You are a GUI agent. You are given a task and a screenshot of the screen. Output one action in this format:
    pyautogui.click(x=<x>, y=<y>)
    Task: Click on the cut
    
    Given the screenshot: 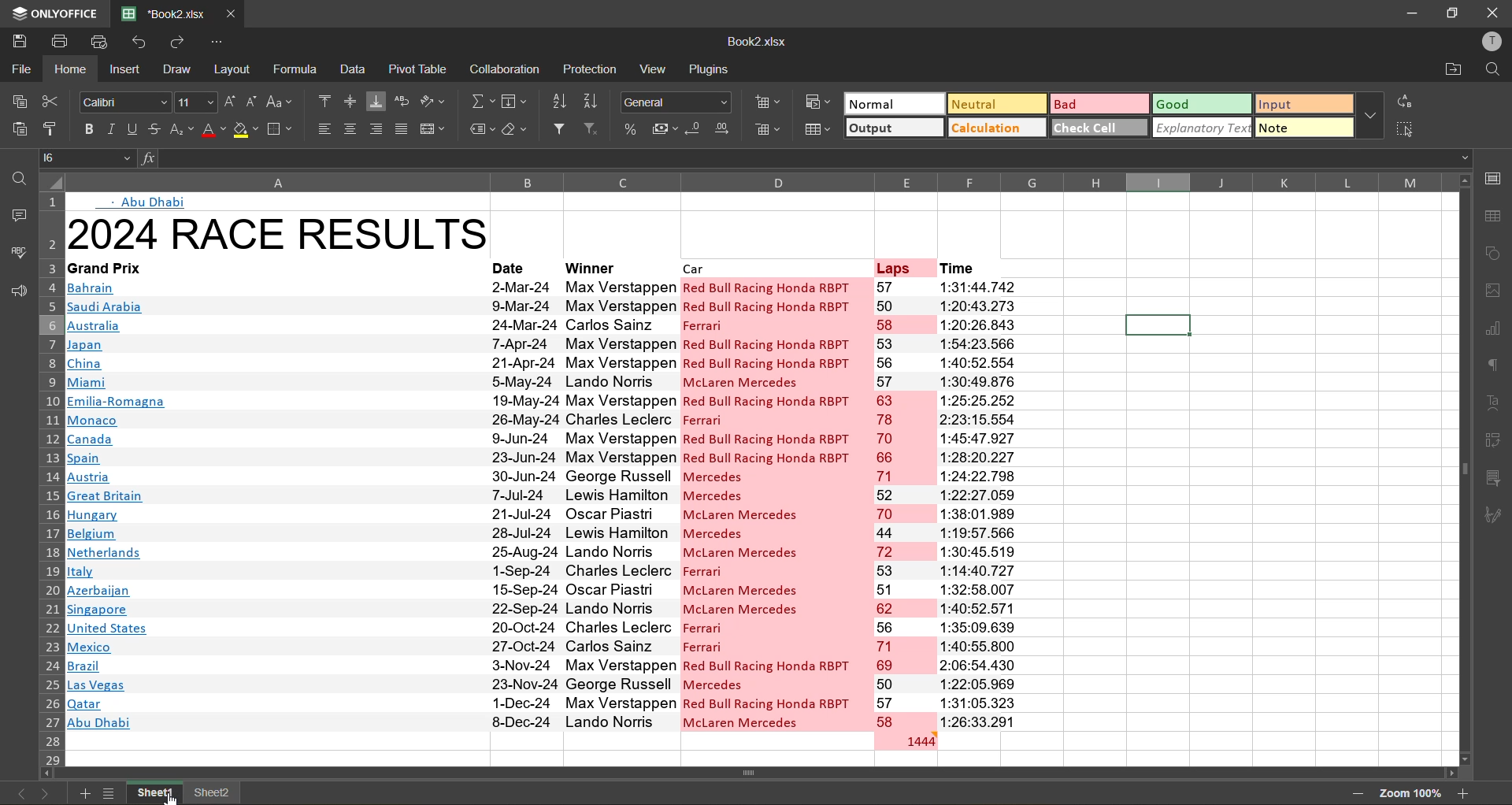 What is the action you would take?
    pyautogui.click(x=52, y=101)
    